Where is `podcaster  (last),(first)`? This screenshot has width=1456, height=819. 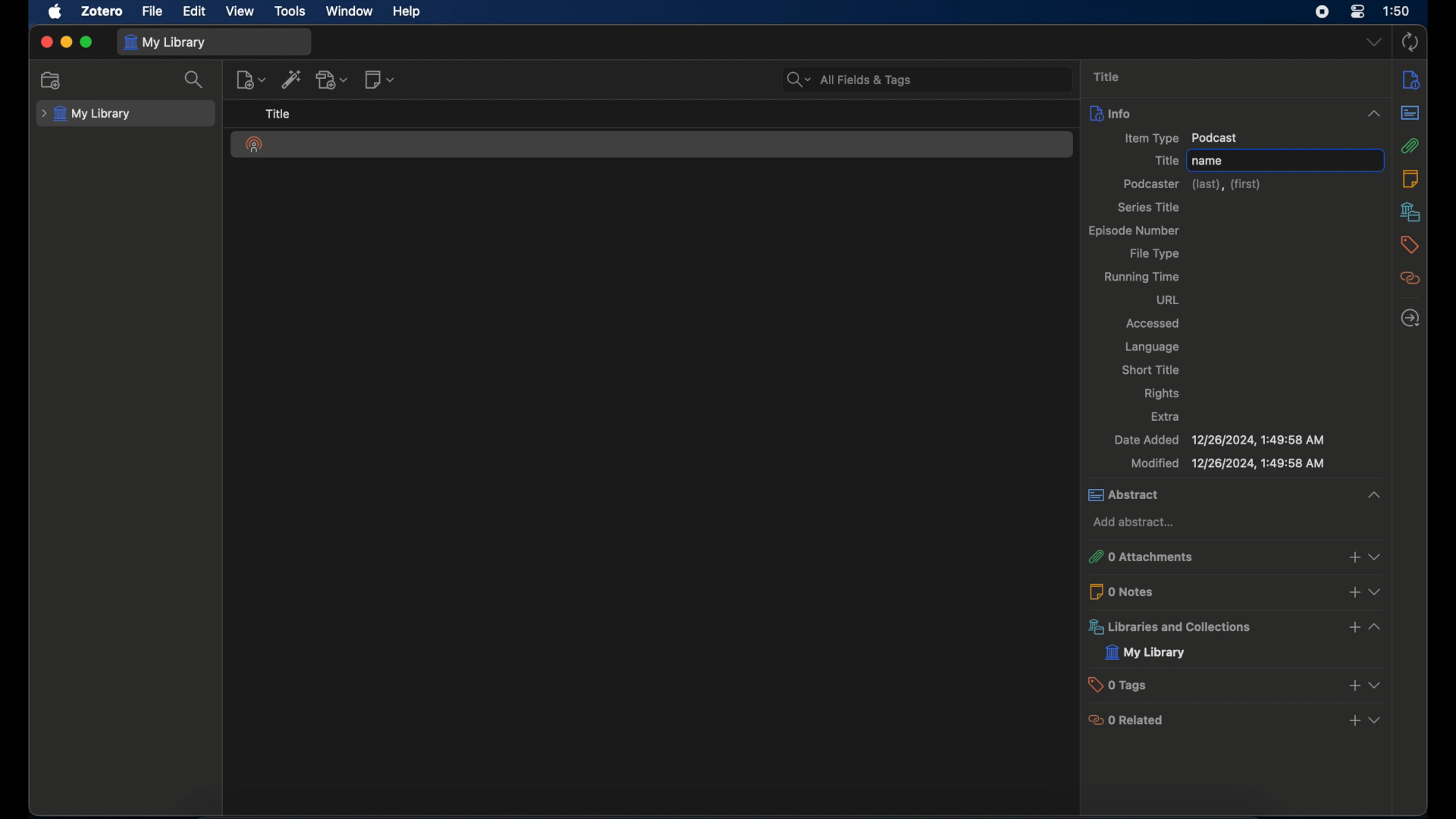
podcaster  (last),(first) is located at coordinates (1192, 184).